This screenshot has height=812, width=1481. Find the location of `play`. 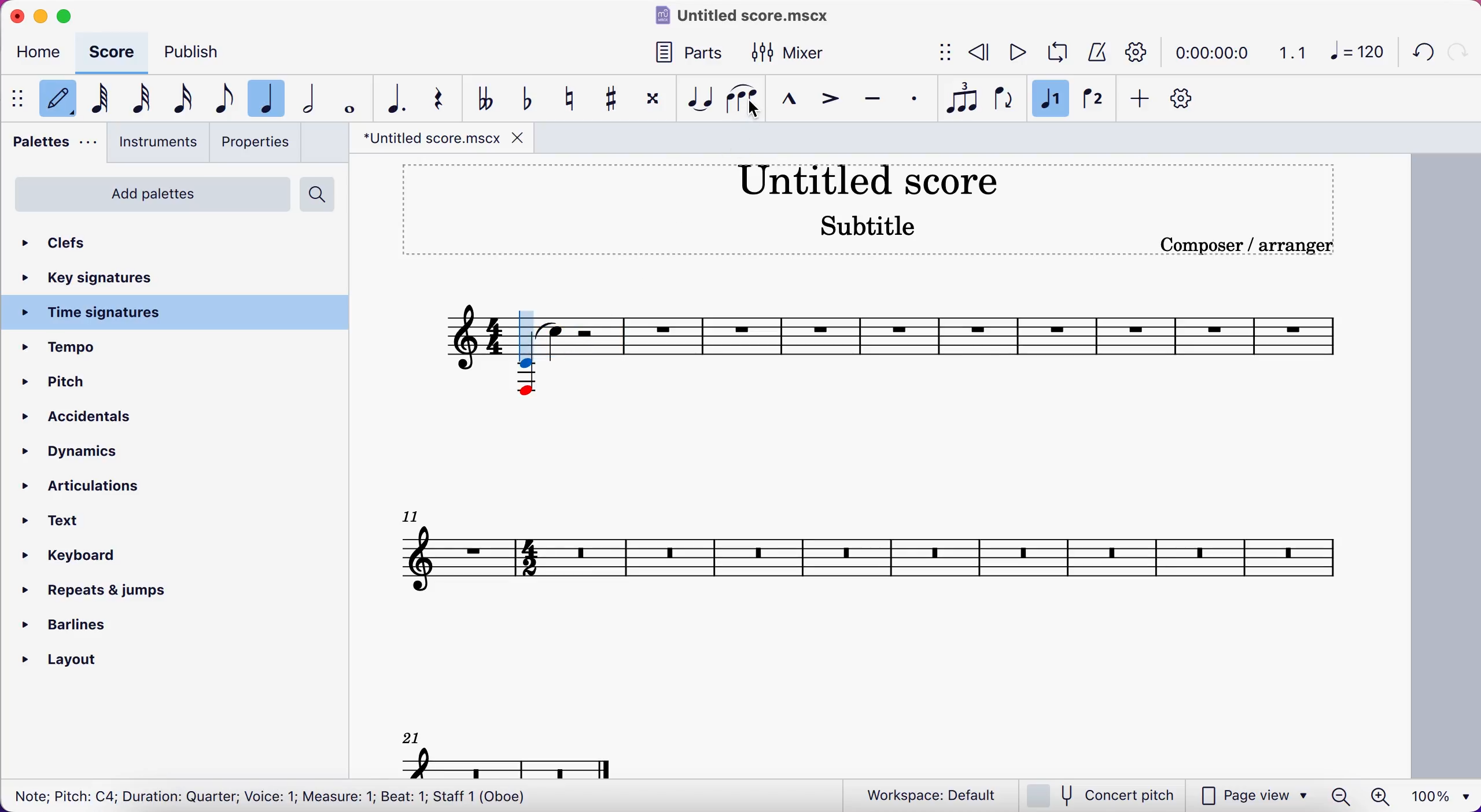

play is located at coordinates (1012, 54).